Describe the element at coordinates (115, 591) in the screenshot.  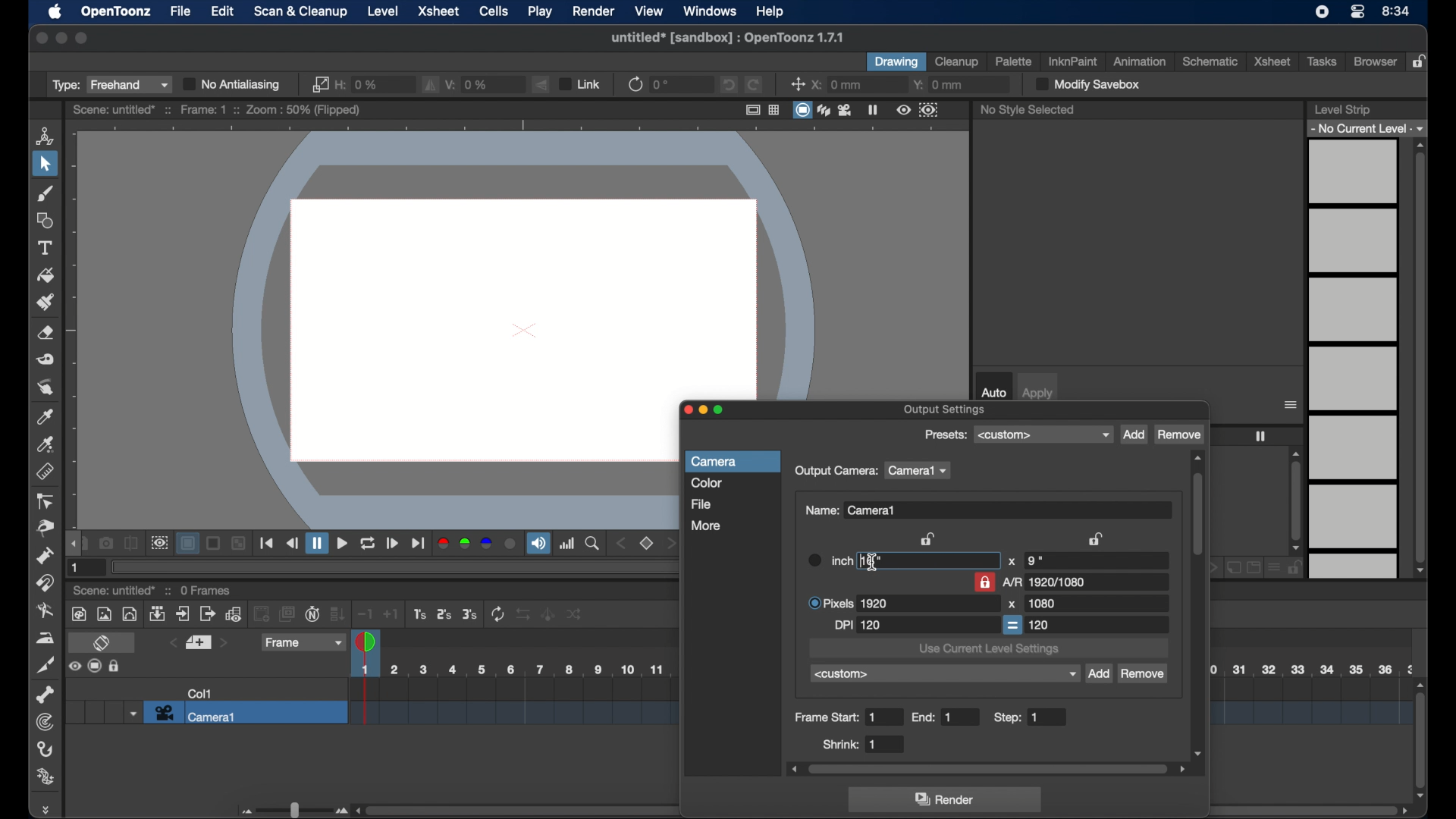
I see `scene` at that location.